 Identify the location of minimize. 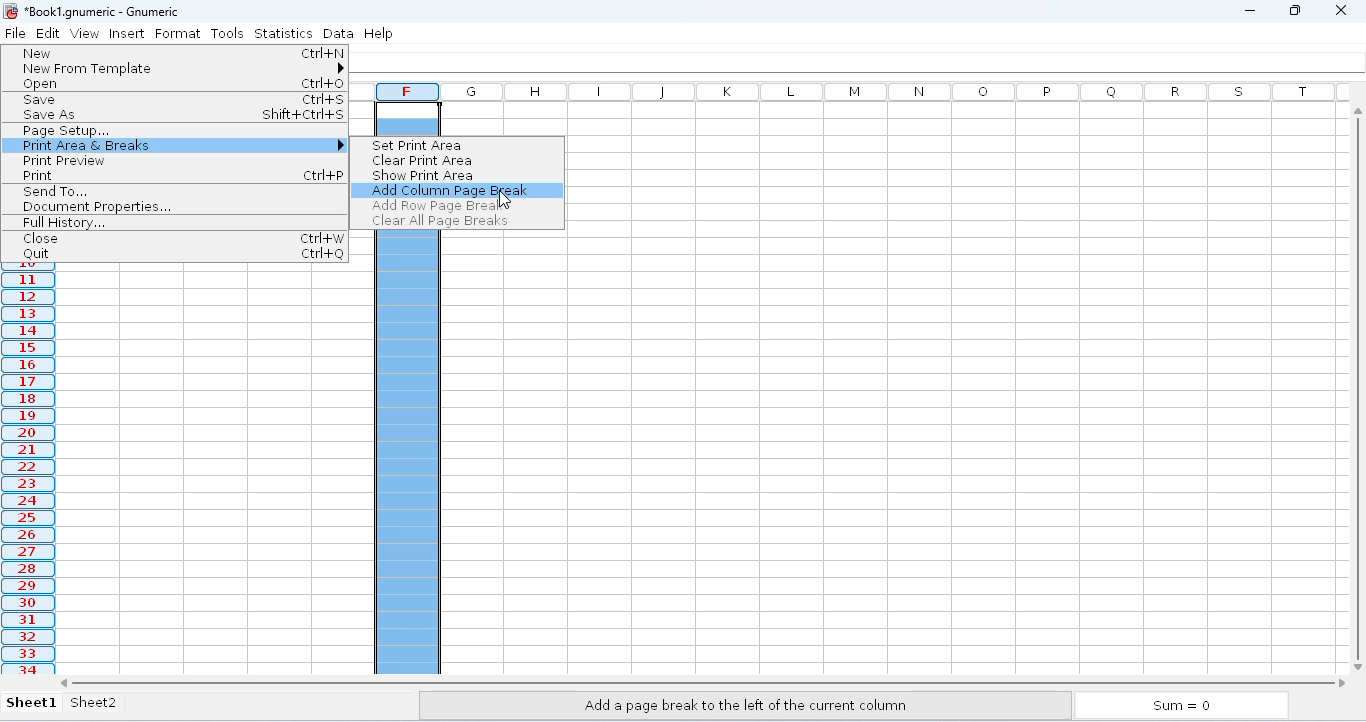
(1249, 10).